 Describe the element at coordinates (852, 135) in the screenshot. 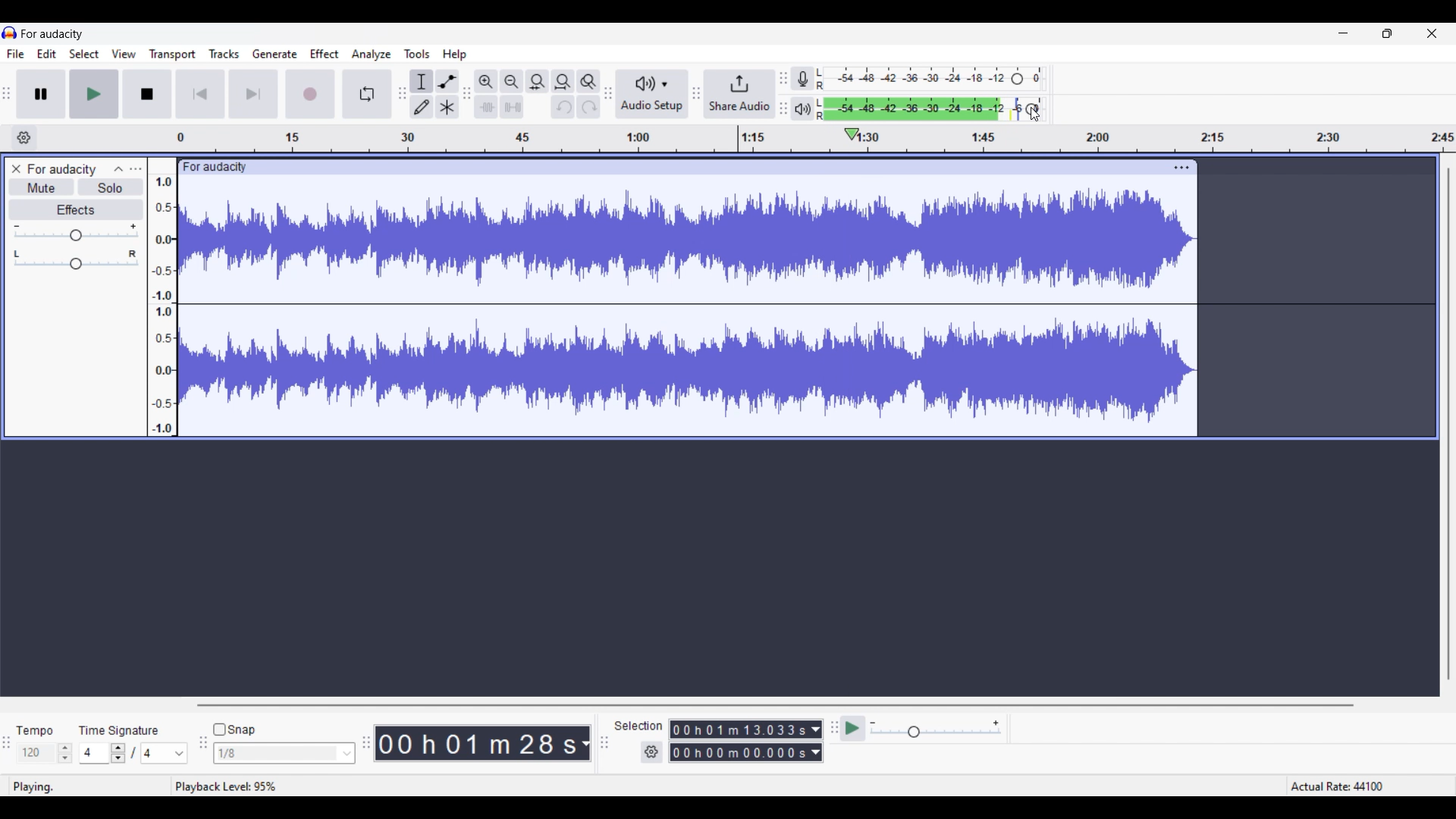

I see `Playhead position changed` at that location.